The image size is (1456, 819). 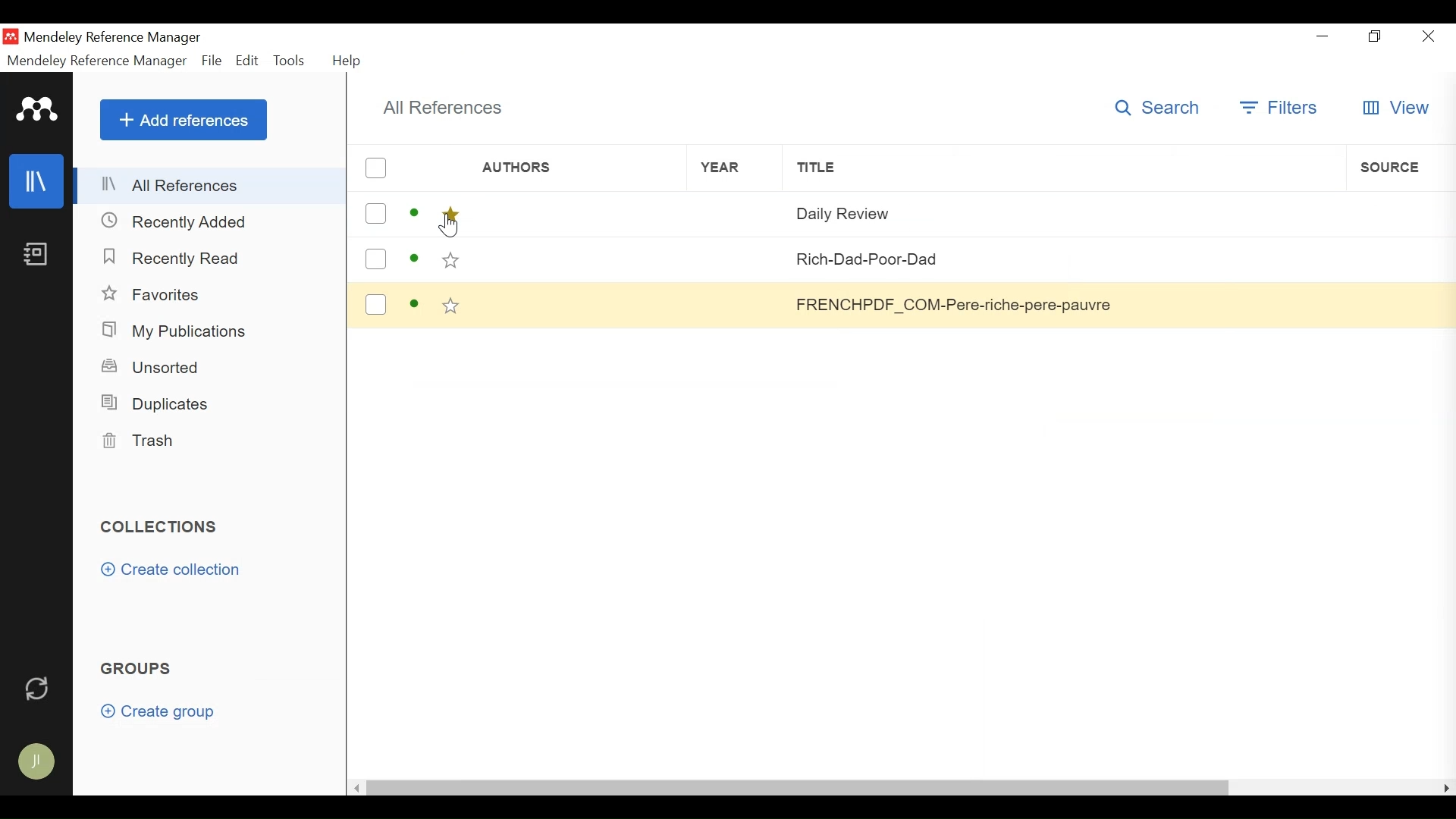 What do you see at coordinates (184, 121) in the screenshot?
I see `Add References` at bounding box center [184, 121].